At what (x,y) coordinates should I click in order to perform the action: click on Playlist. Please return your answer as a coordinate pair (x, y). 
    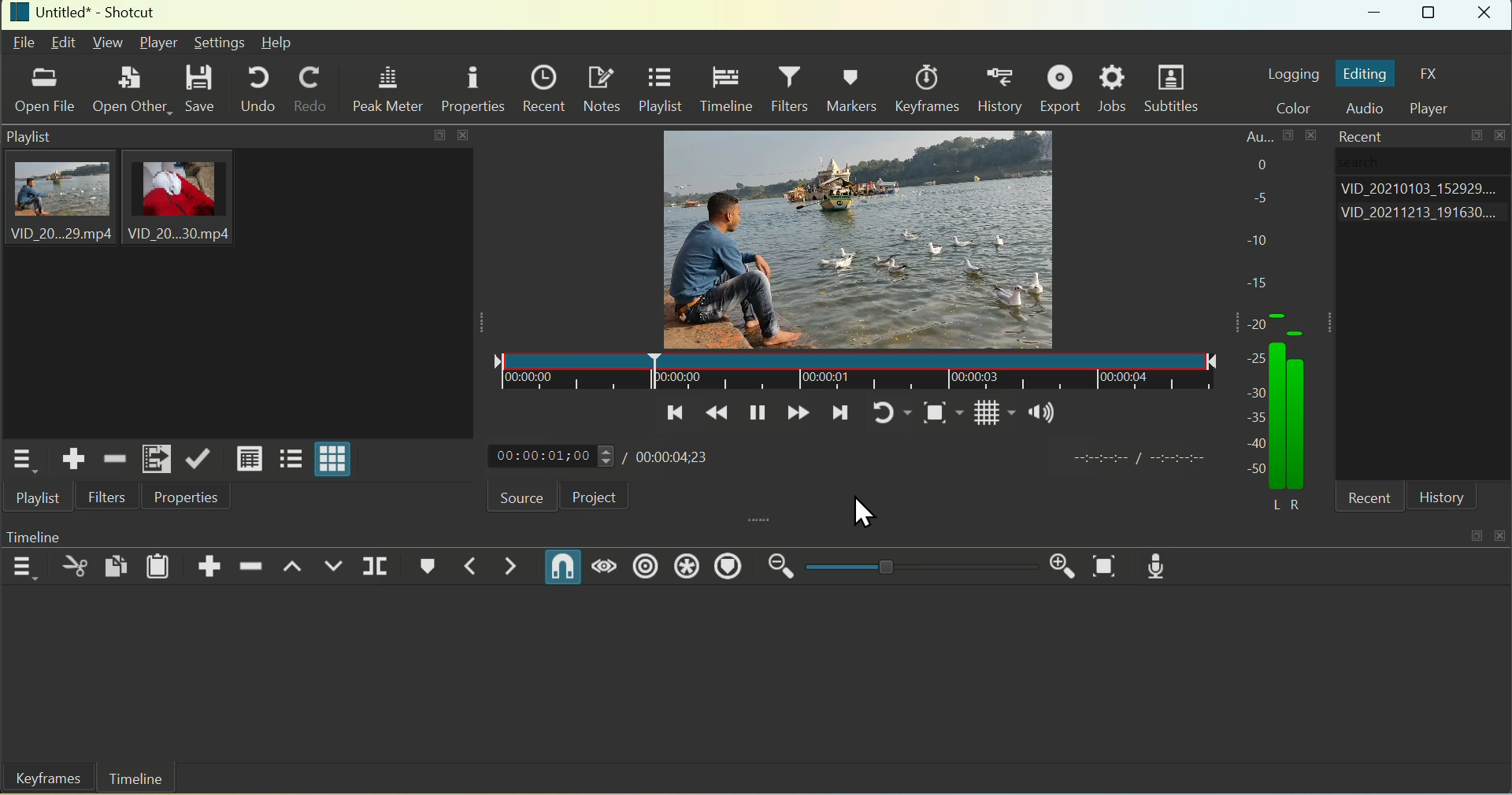
    Looking at the image, I should click on (660, 91).